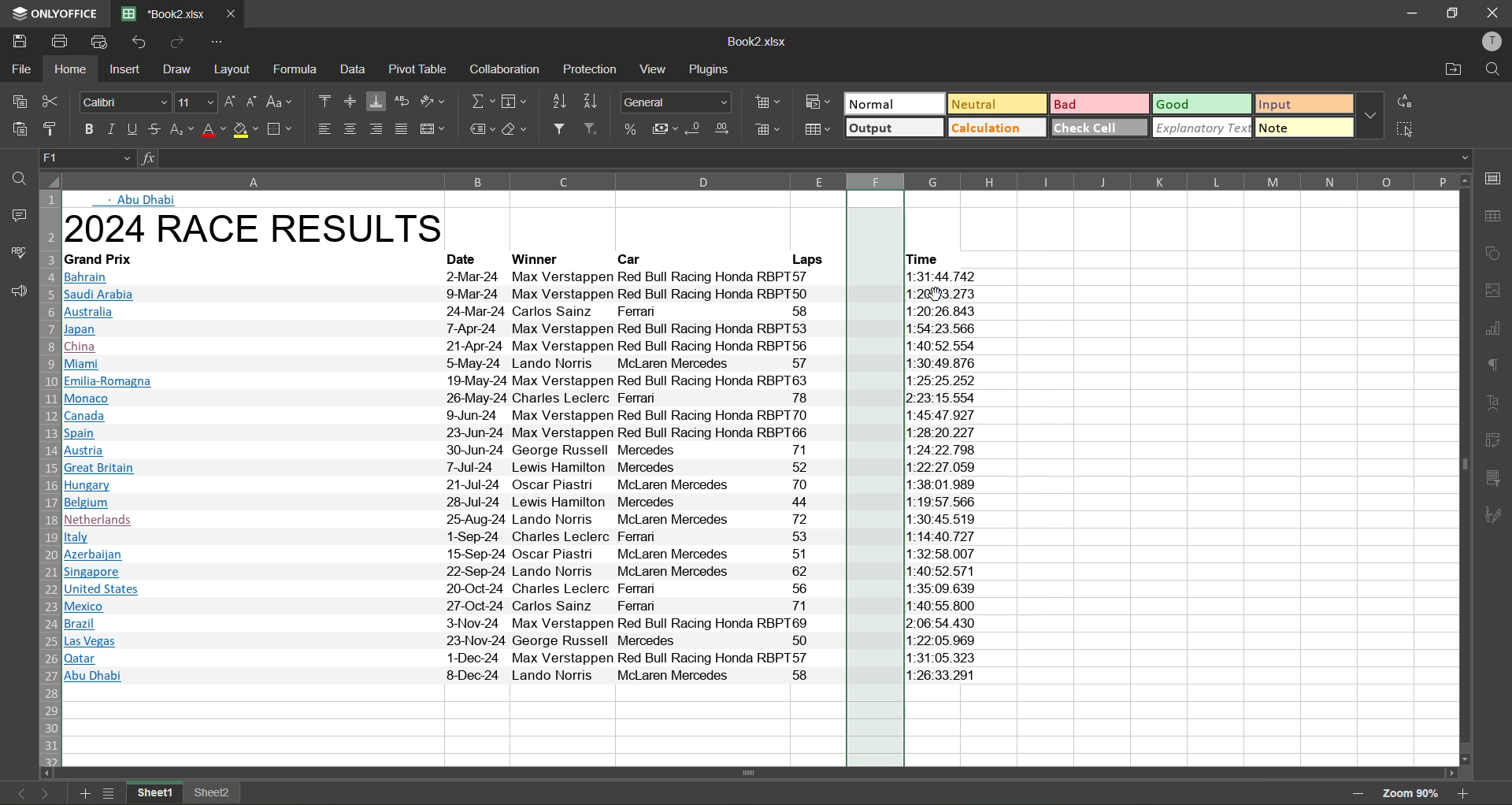  What do you see at coordinates (46, 770) in the screenshot?
I see `move left` at bounding box center [46, 770].